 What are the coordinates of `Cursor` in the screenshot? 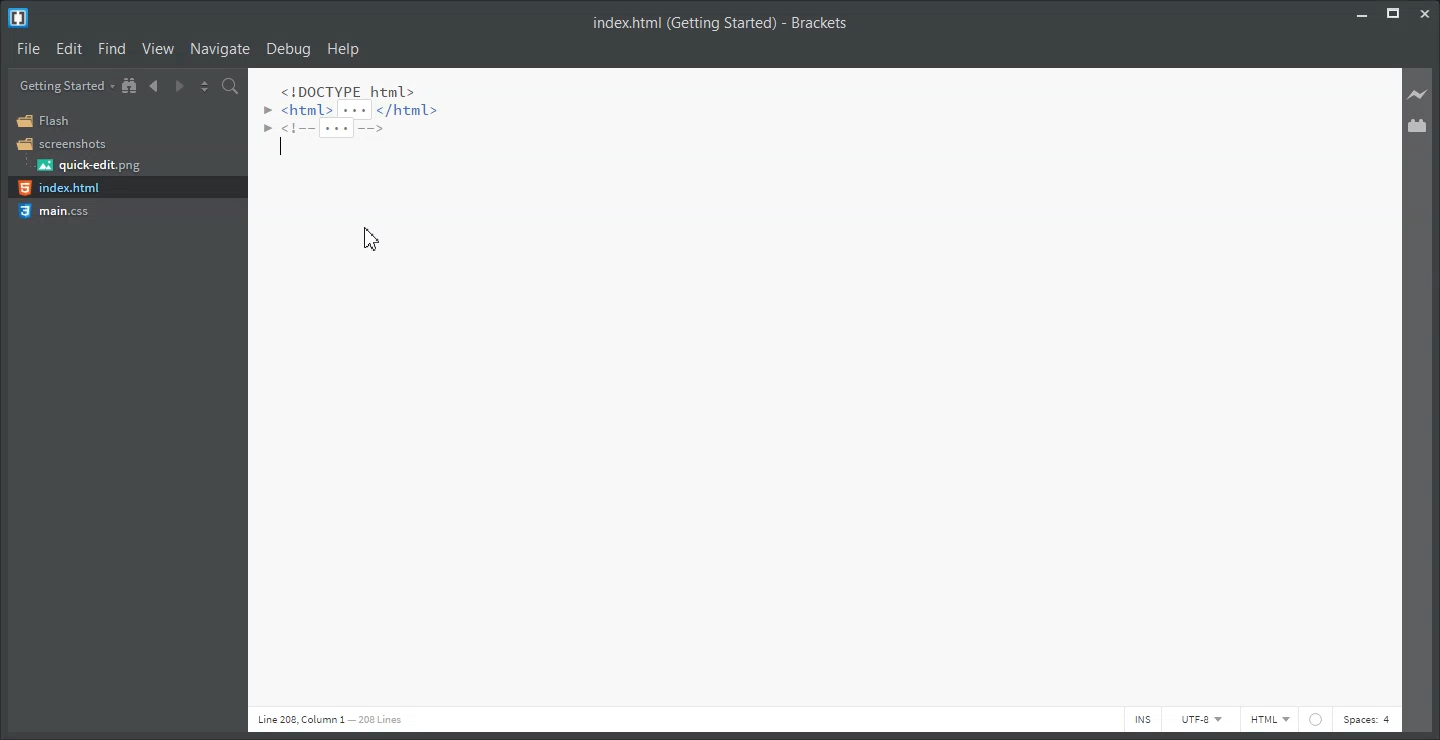 It's located at (373, 239).